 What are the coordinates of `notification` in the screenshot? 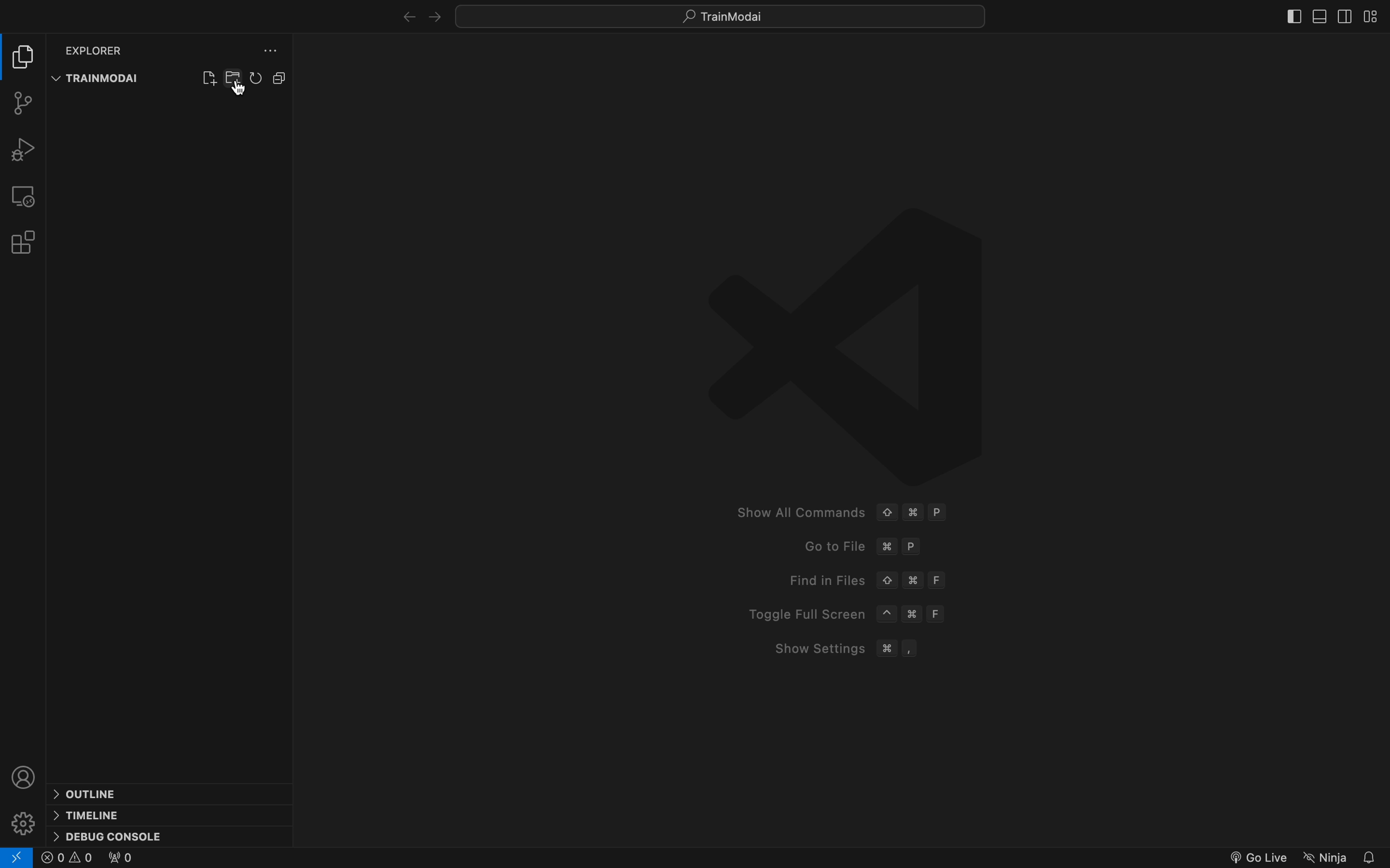 It's located at (1372, 856).